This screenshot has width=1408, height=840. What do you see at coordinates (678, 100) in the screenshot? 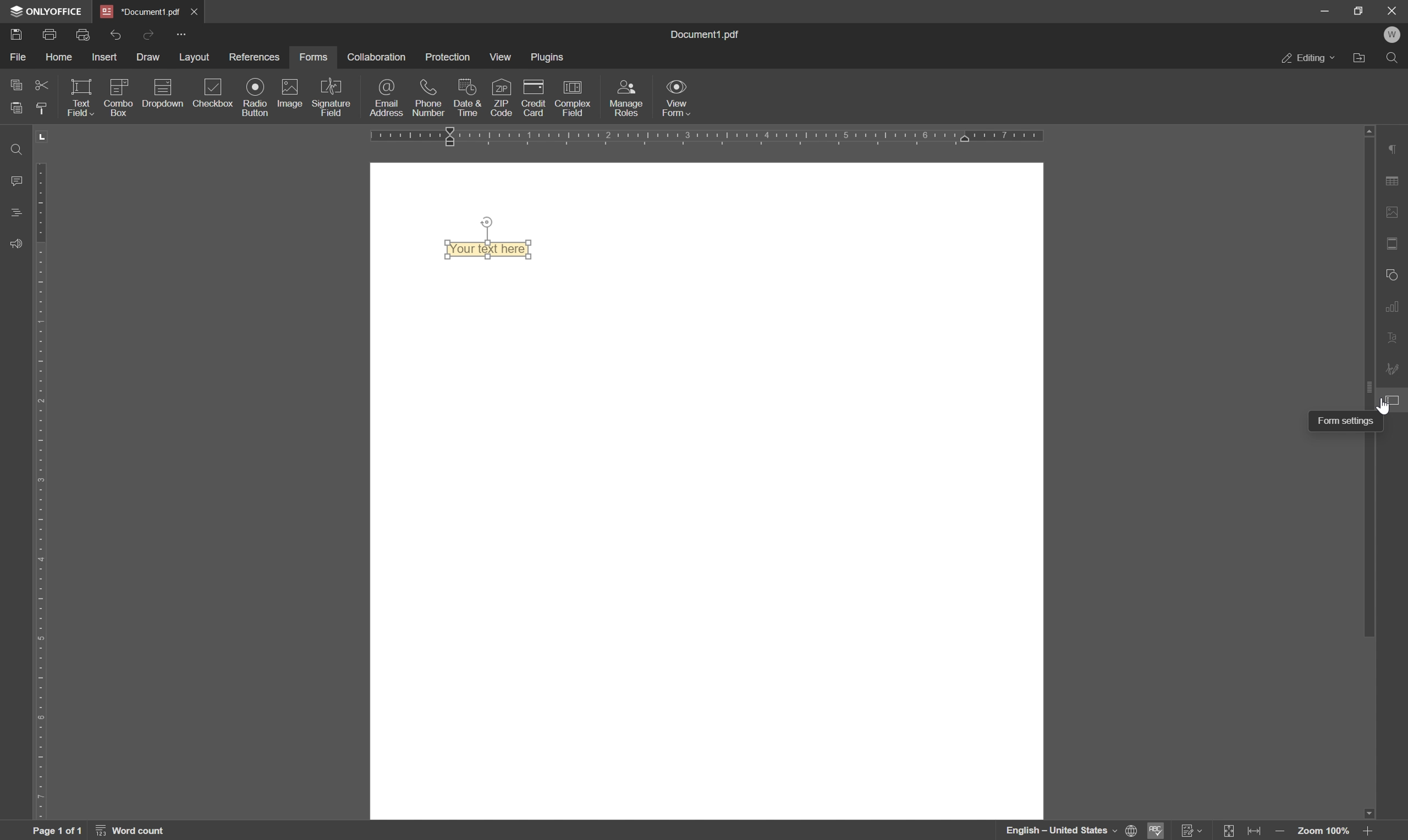
I see `view form` at bounding box center [678, 100].